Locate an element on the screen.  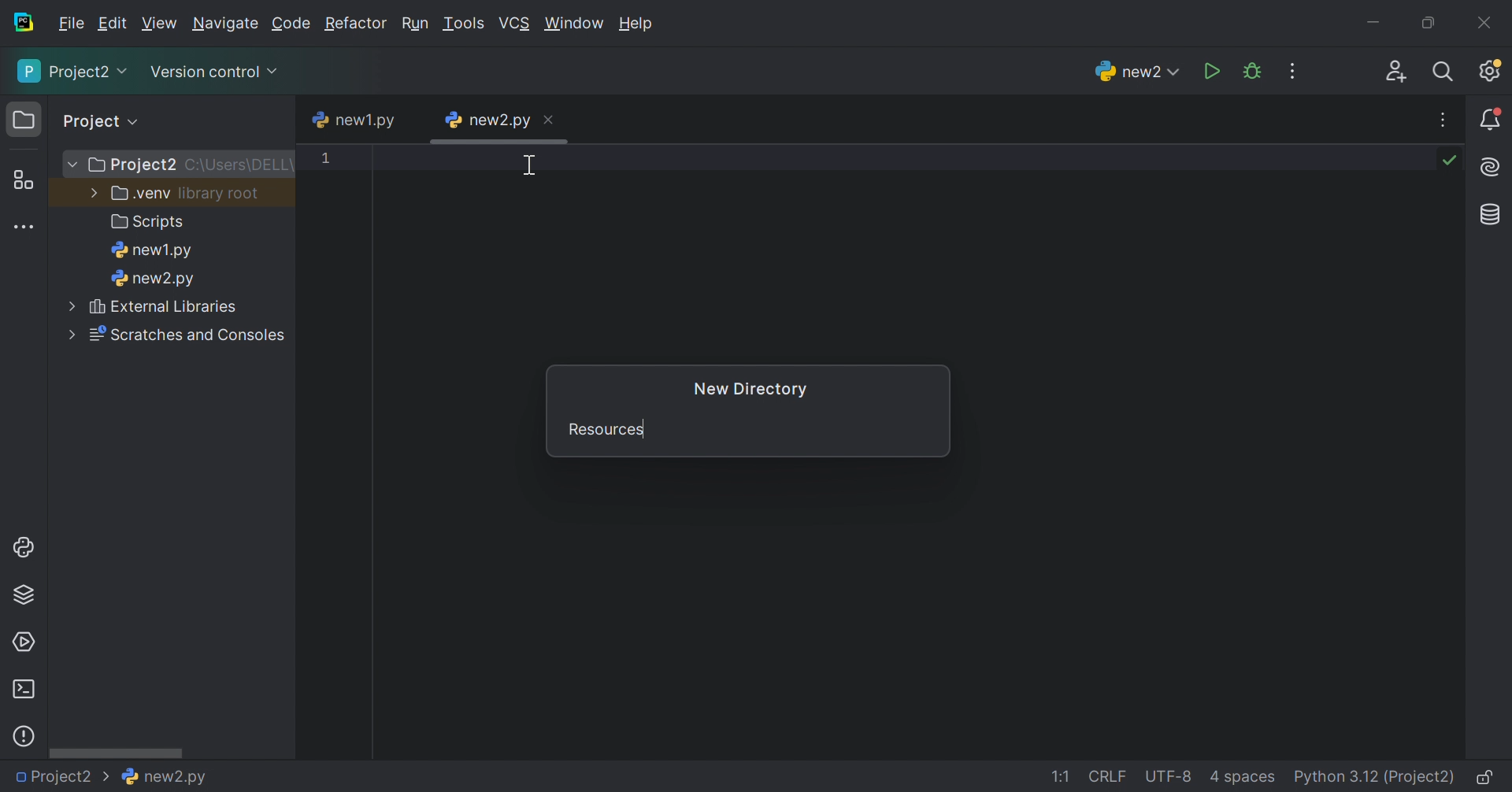
library.root is located at coordinates (218, 196).